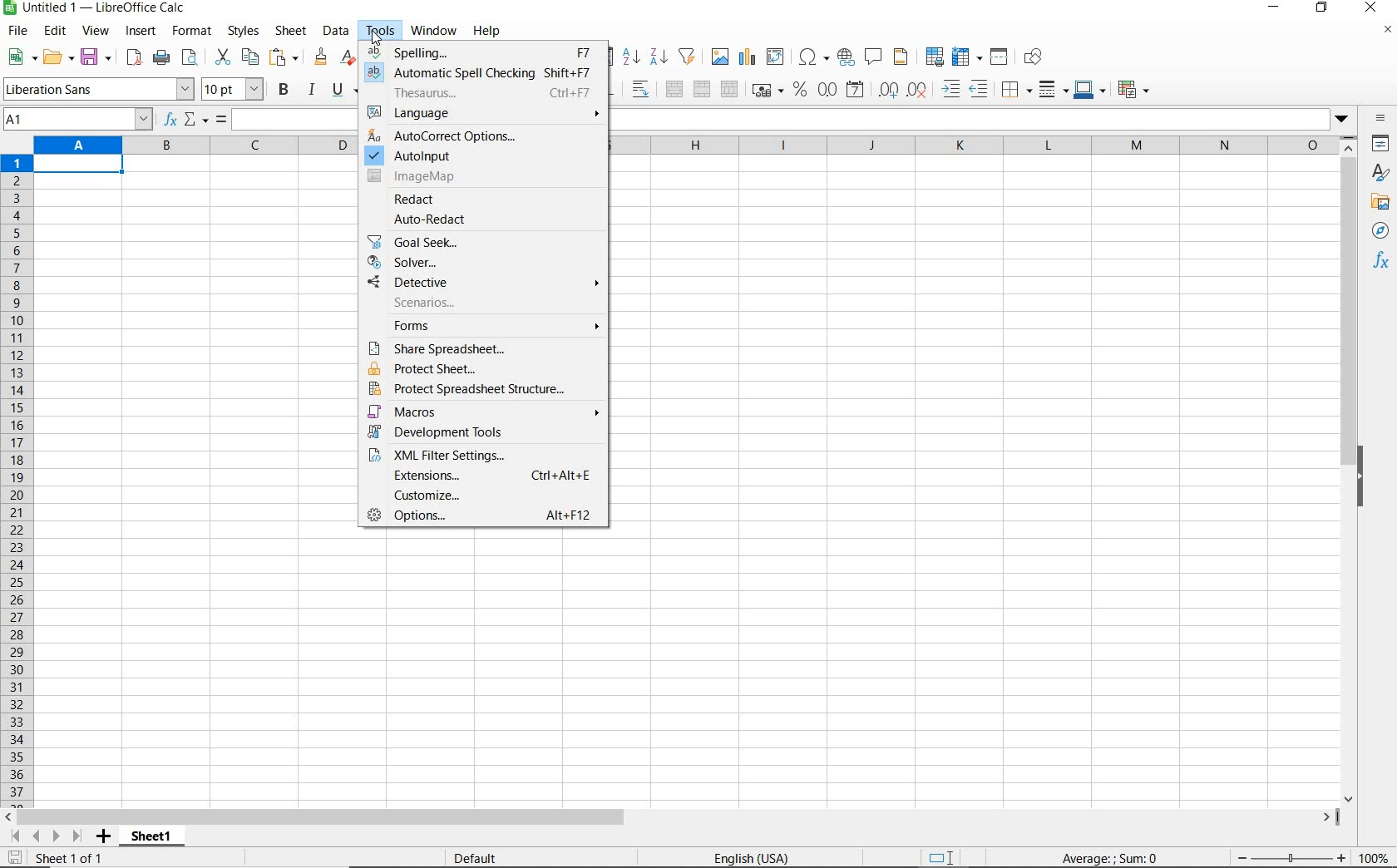  I want to click on formulae, so click(1381, 261).